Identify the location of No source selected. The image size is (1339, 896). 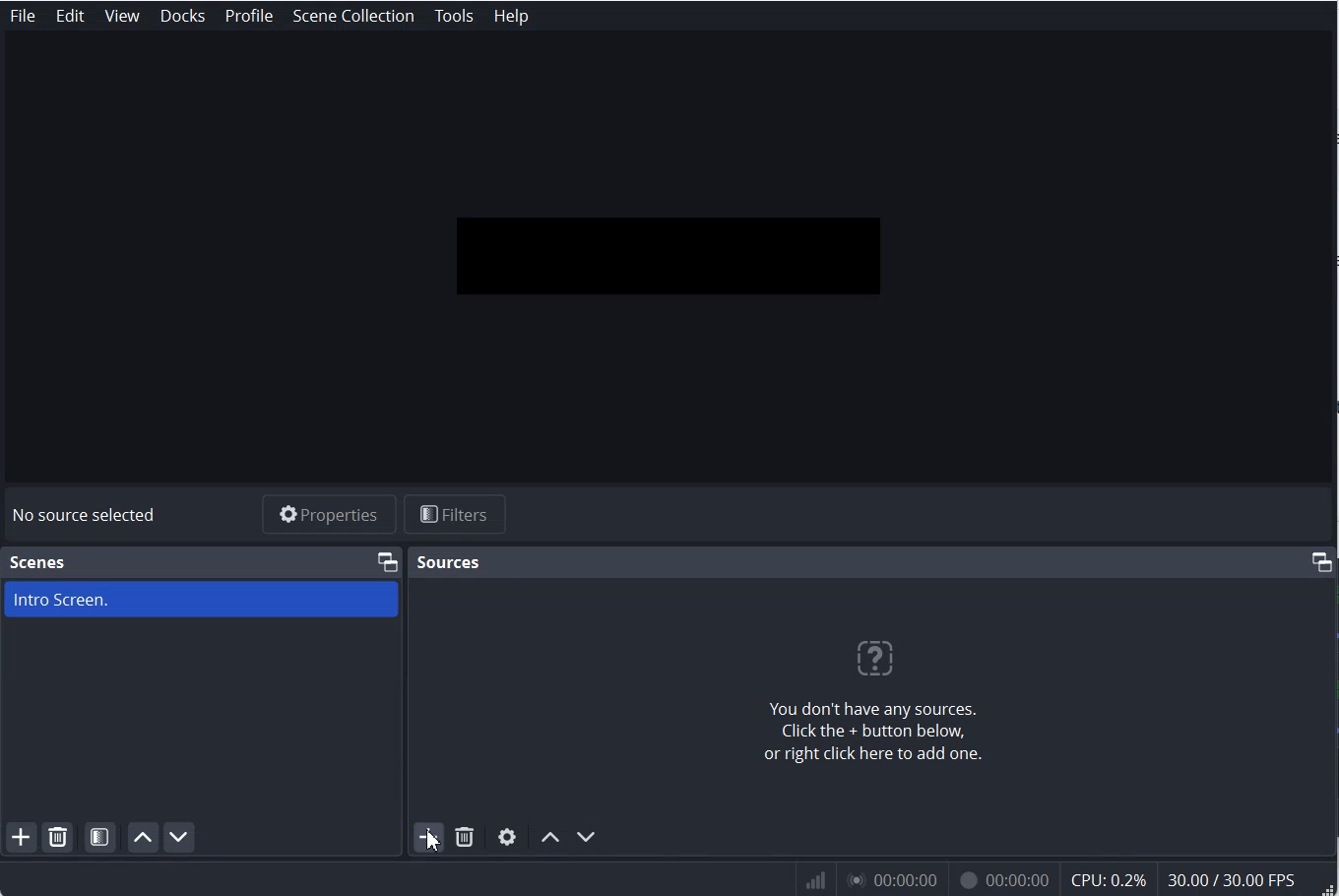
(85, 514).